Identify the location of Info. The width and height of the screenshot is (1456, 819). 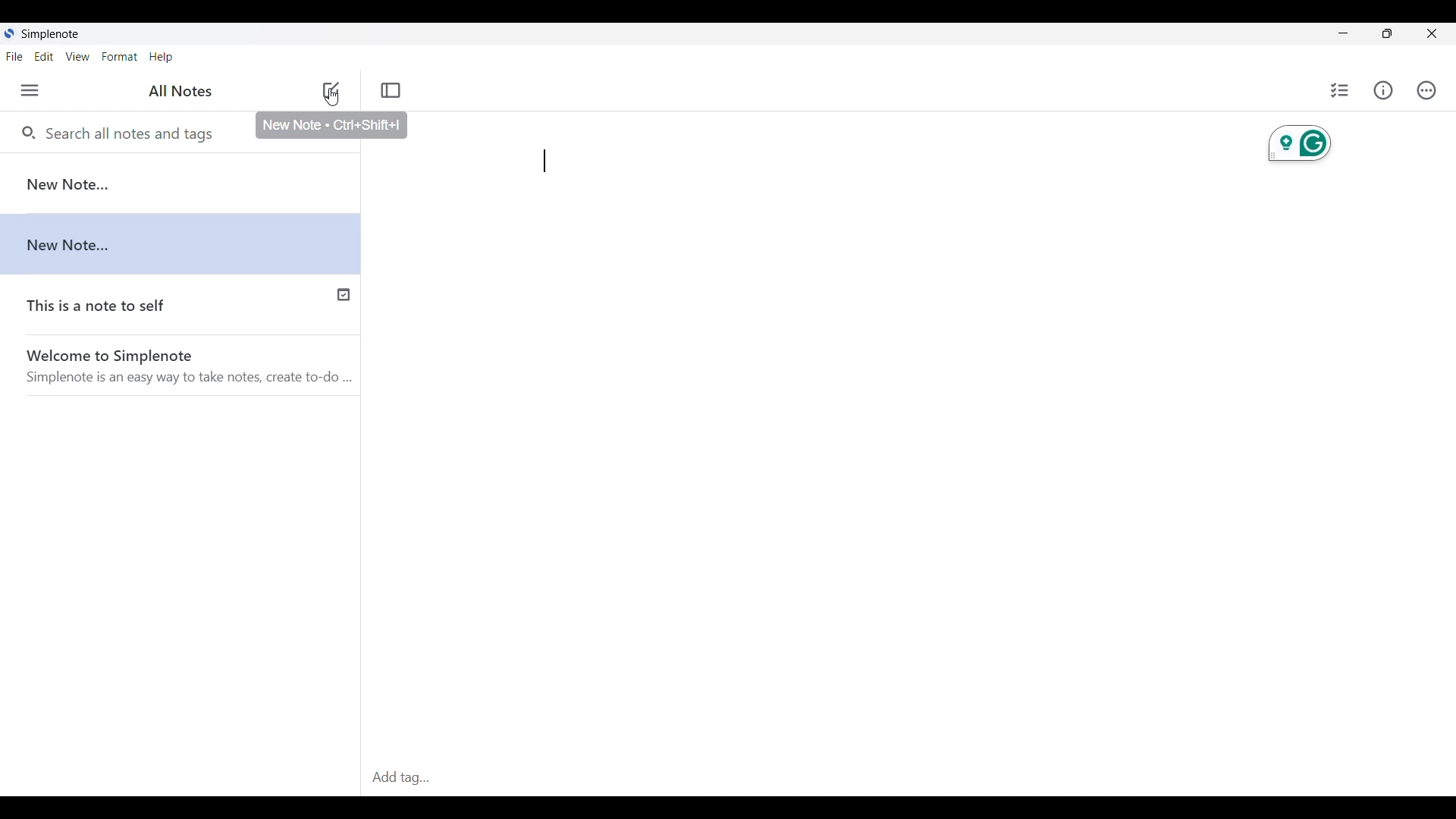
(1384, 90).